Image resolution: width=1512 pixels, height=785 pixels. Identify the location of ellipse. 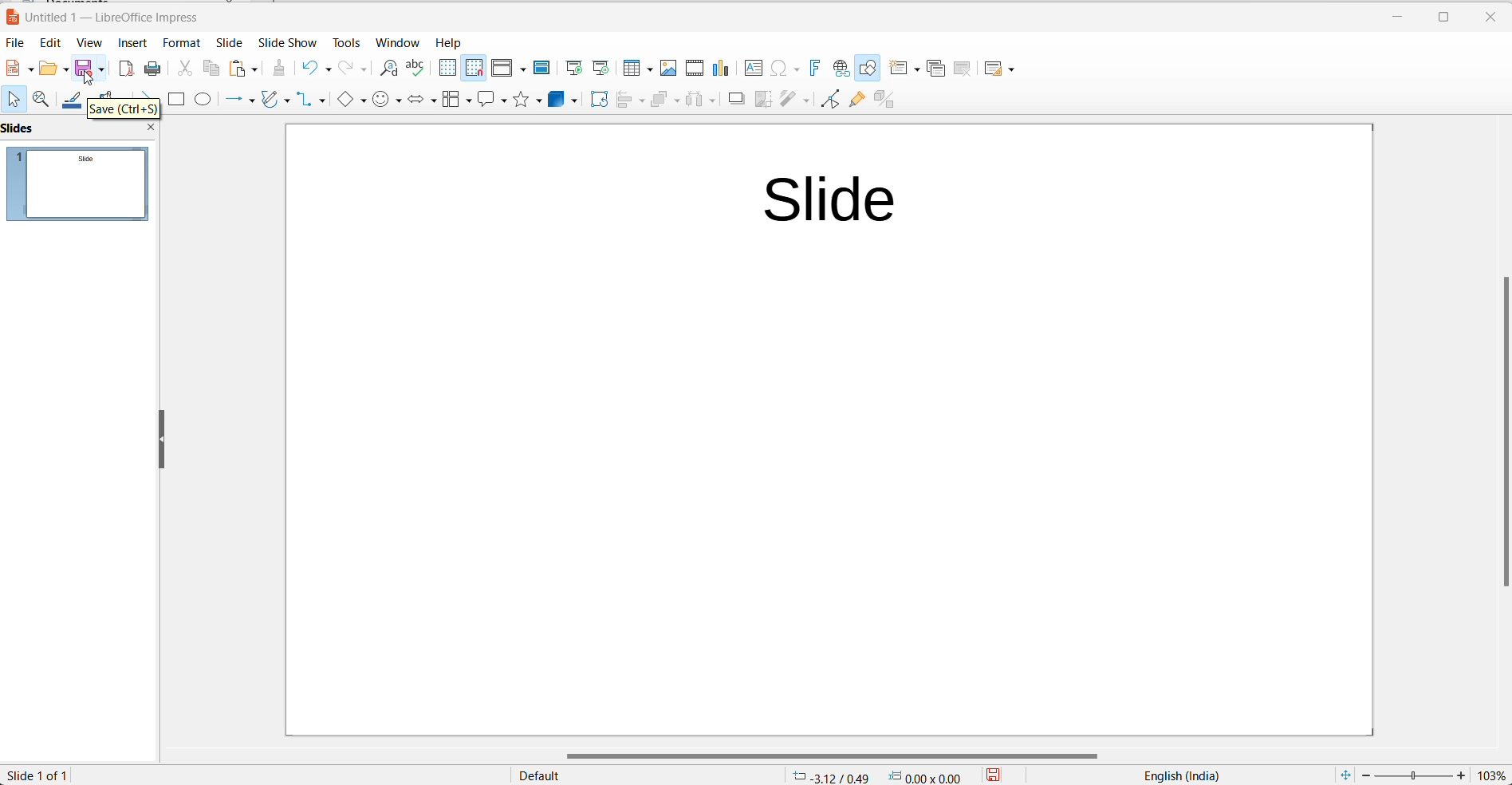
(203, 99).